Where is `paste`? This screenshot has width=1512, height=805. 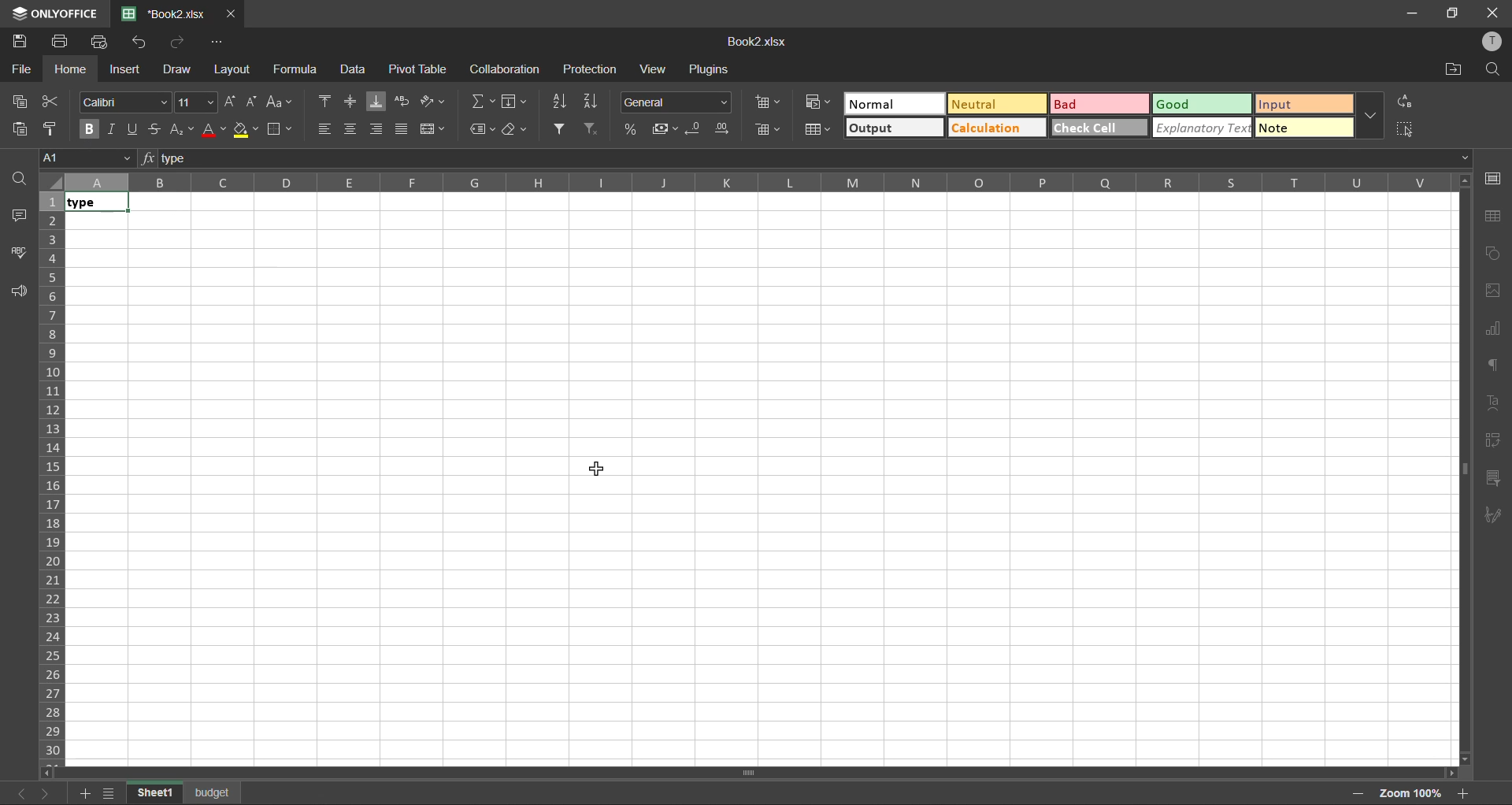 paste is located at coordinates (22, 129).